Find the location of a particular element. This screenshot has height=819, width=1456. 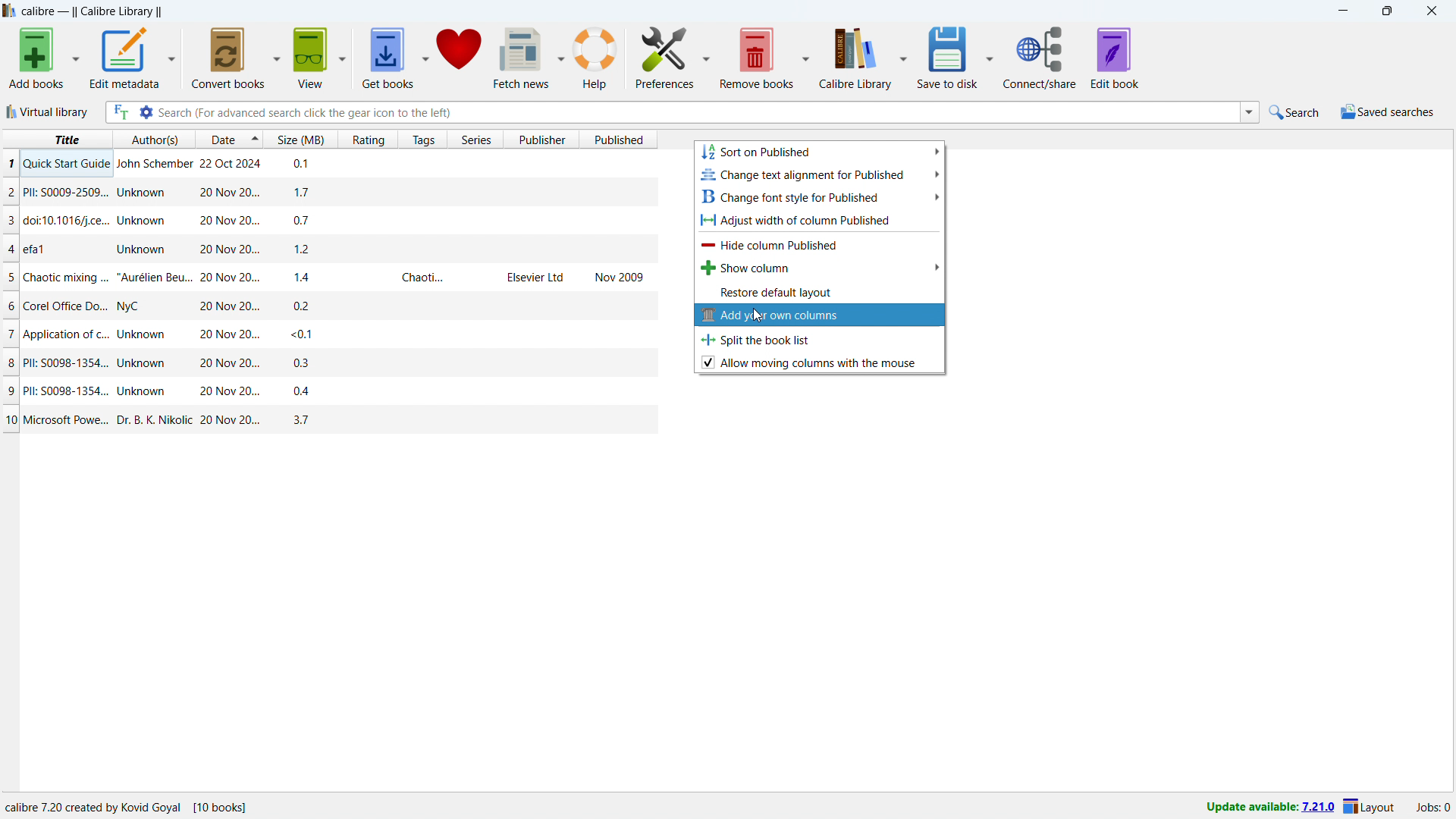

convert books is located at coordinates (227, 58).